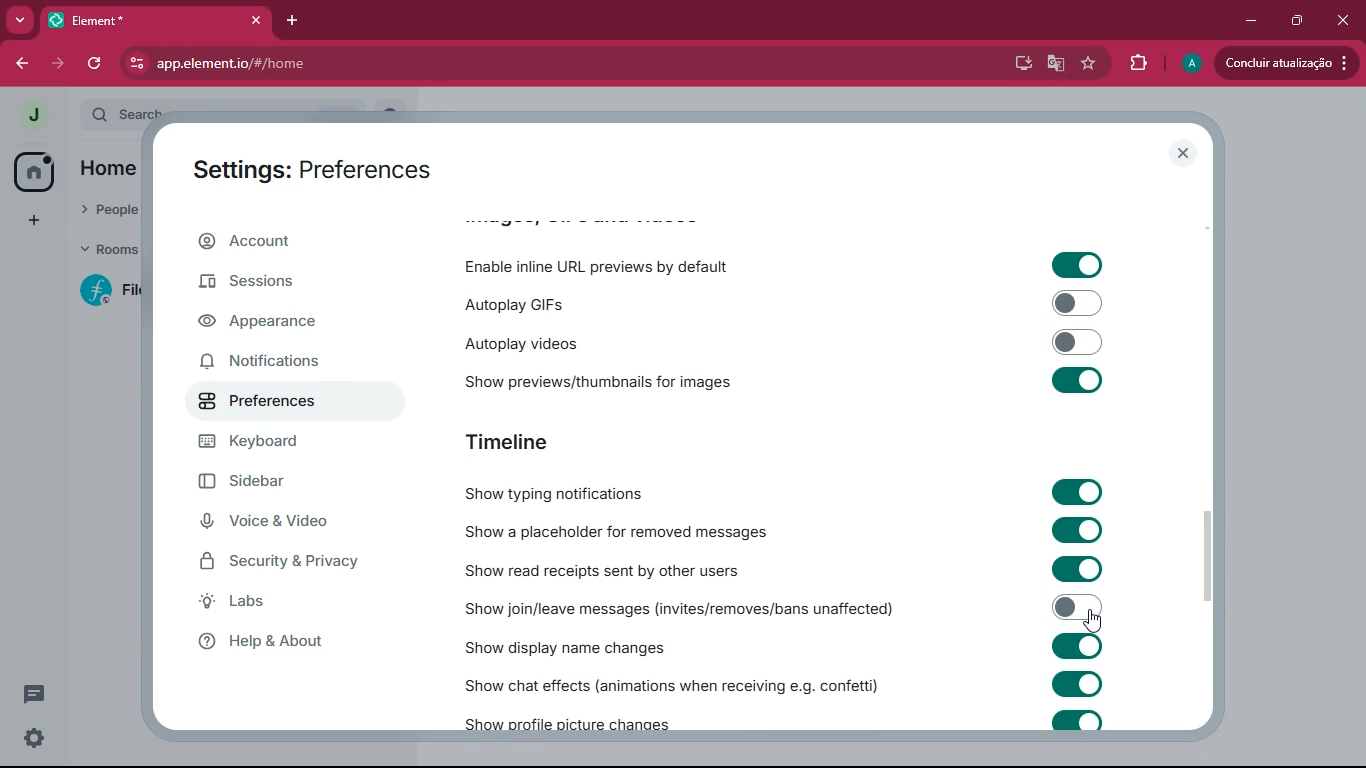  What do you see at coordinates (1195, 61) in the screenshot?
I see `profile picture` at bounding box center [1195, 61].